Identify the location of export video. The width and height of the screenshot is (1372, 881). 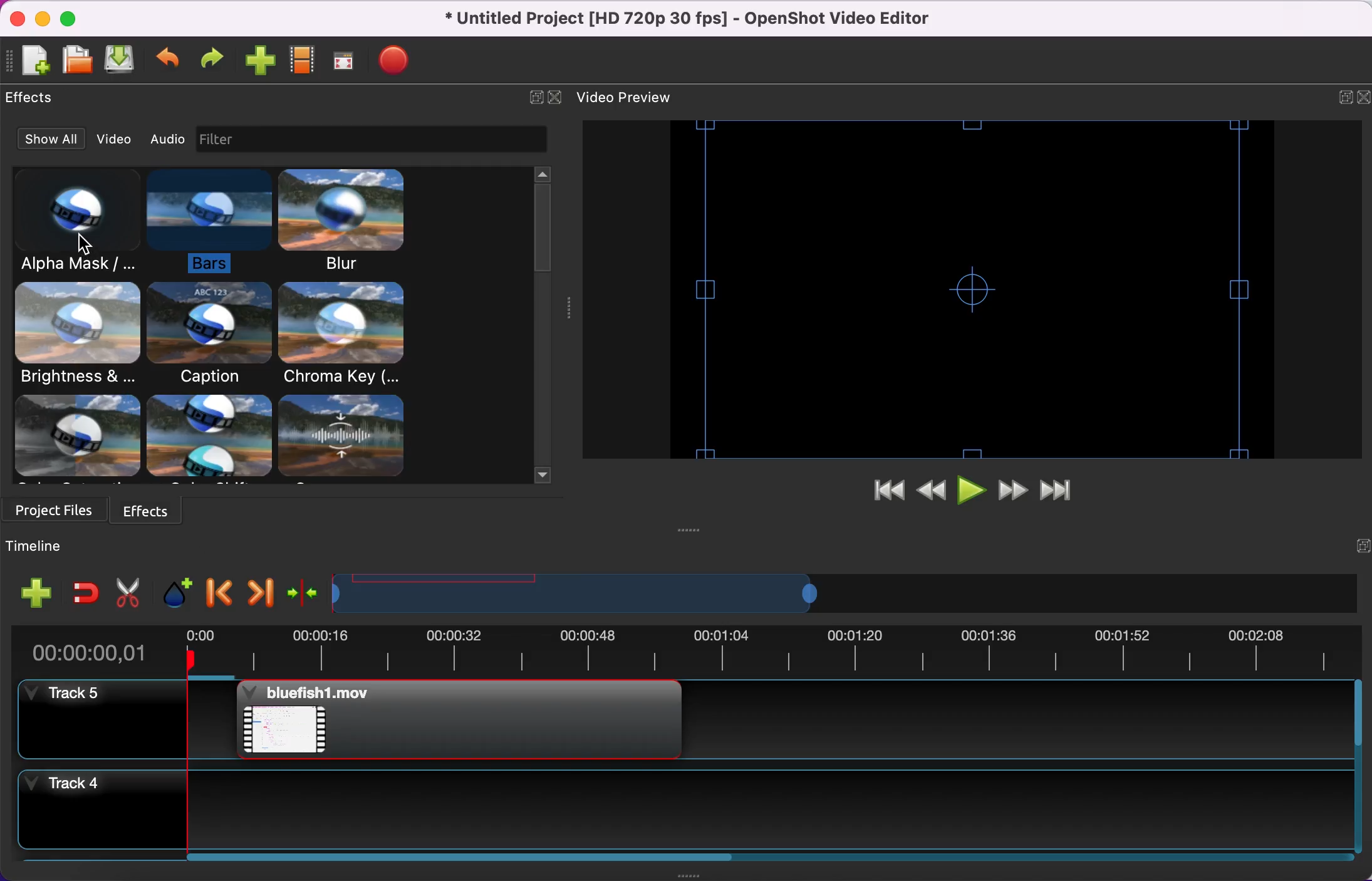
(397, 63).